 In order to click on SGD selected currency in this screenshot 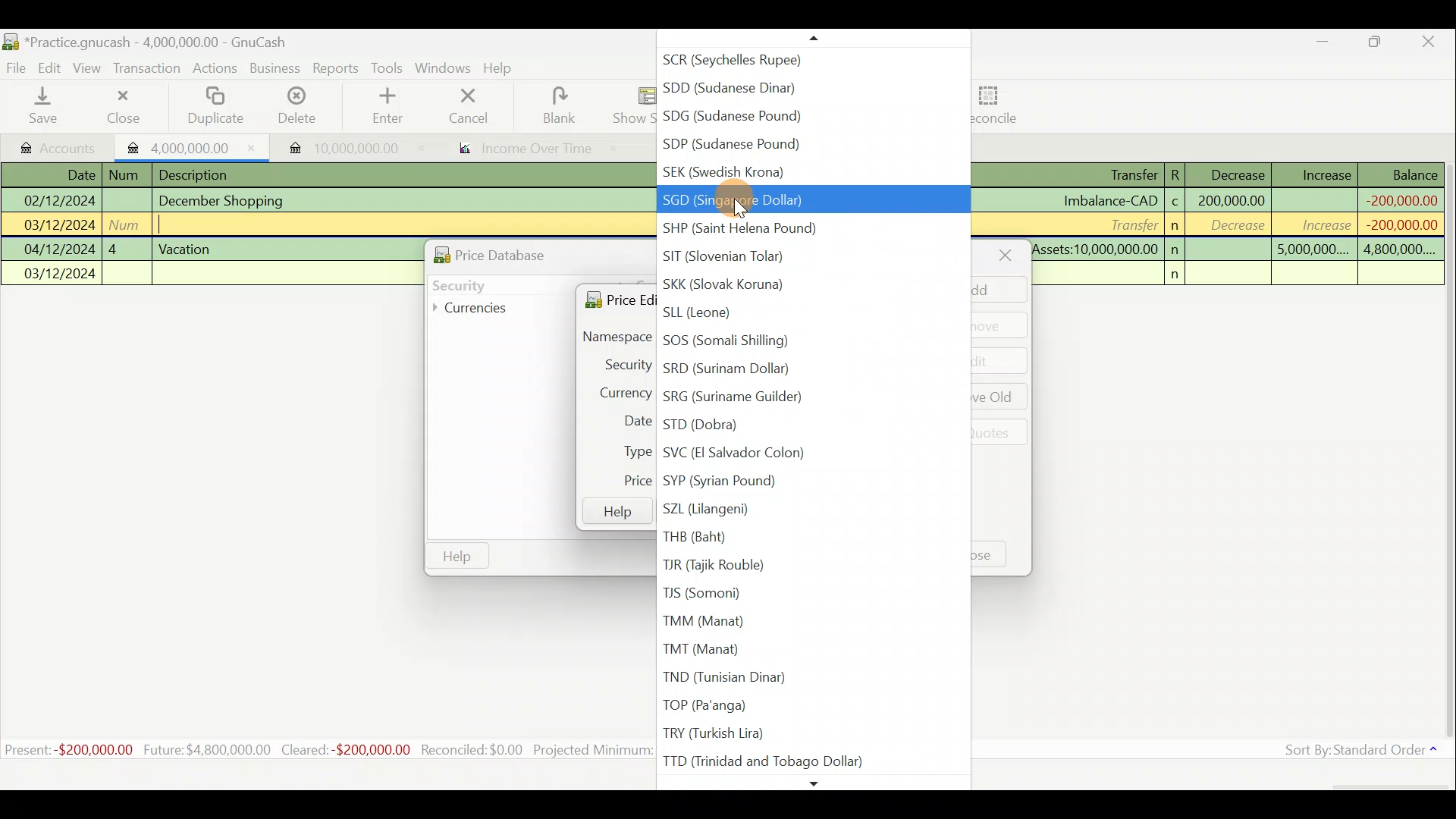, I will do `click(807, 201)`.